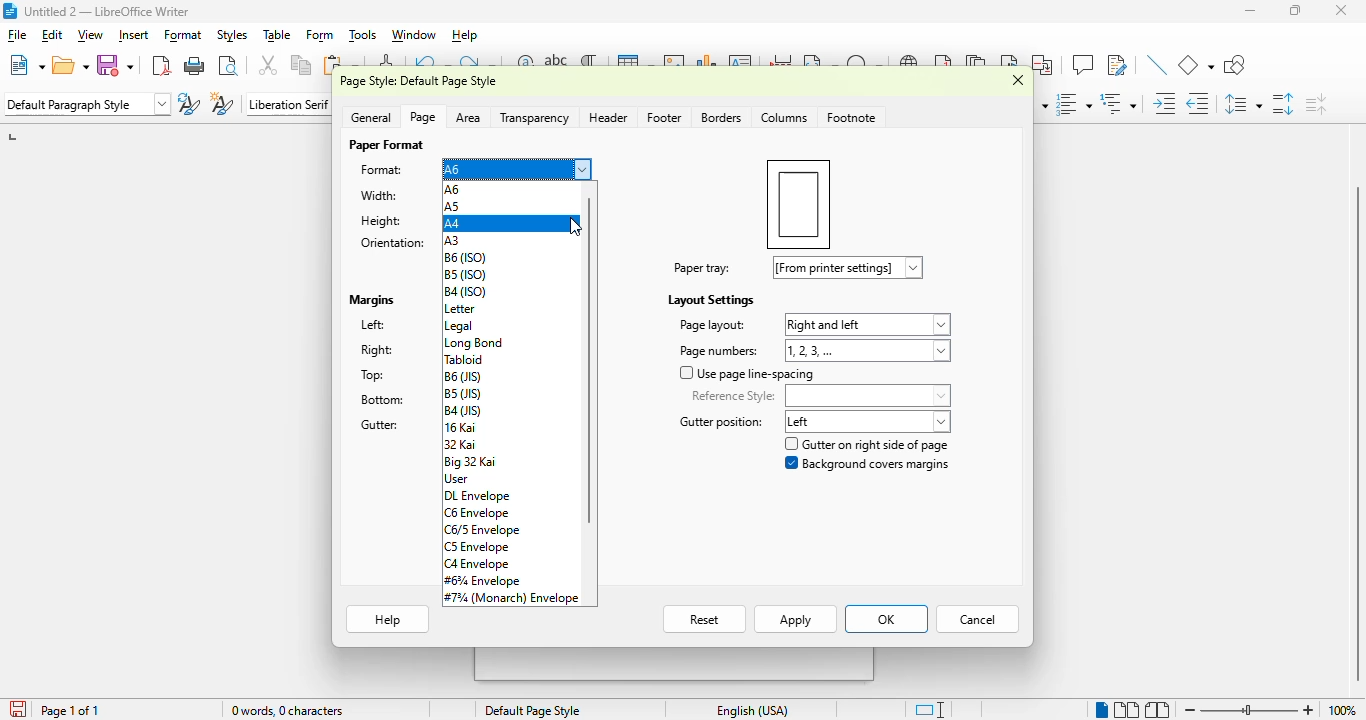  What do you see at coordinates (478, 548) in the screenshot?
I see `C5 envelope` at bounding box center [478, 548].